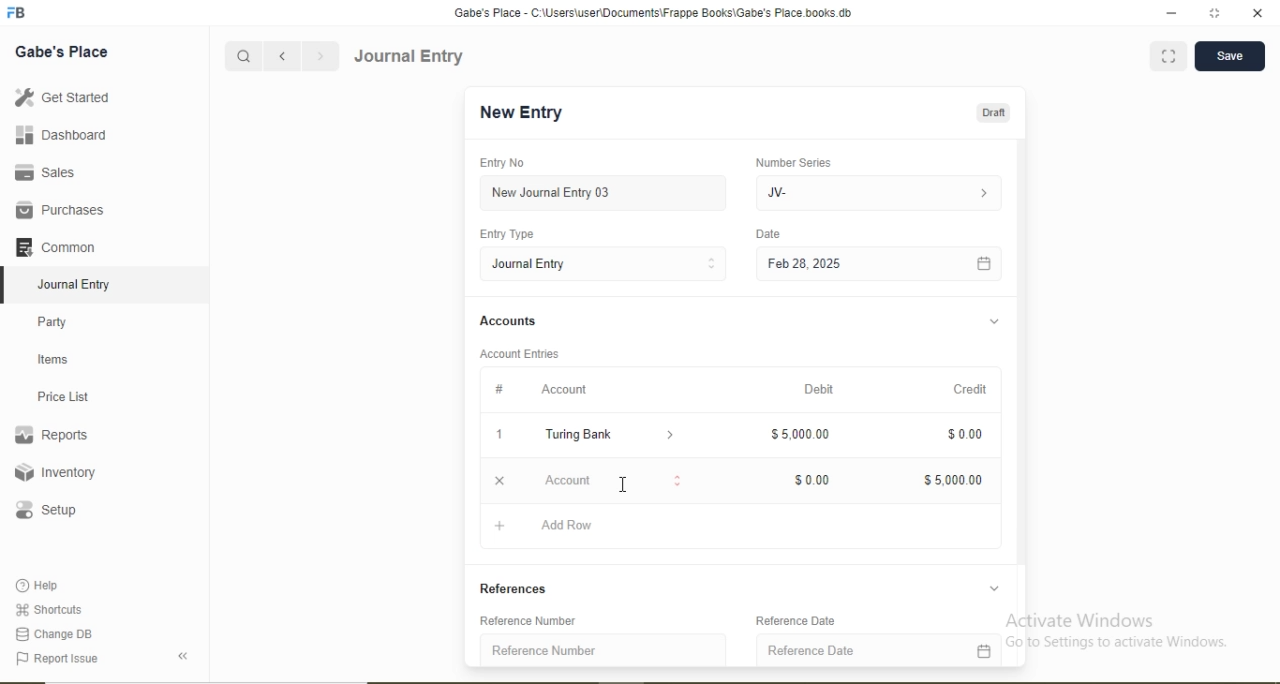 The width and height of the screenshot is (1280, 684). I want to click on Backward, so click(282, 57).